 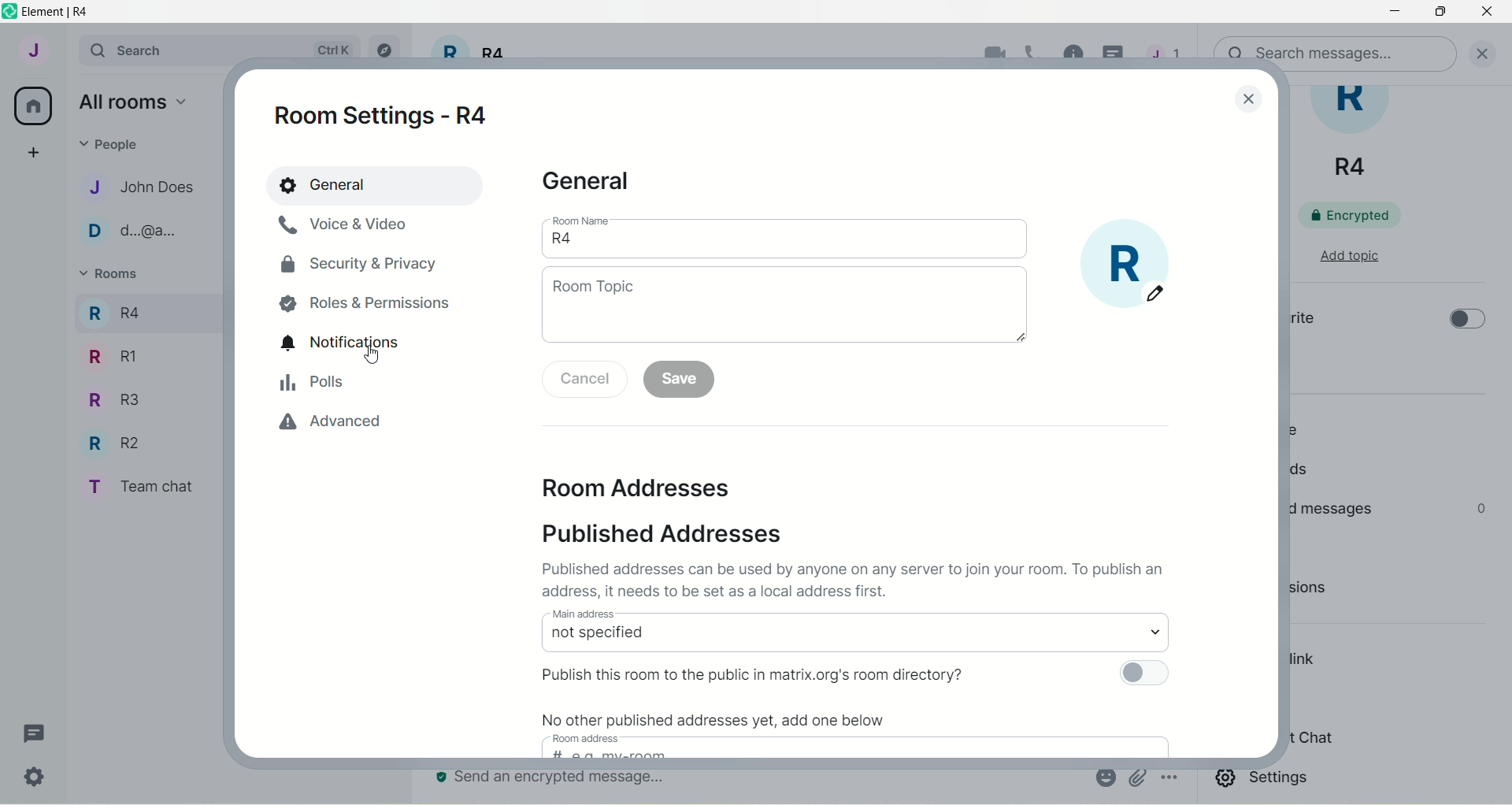 I want to click on account, so click(x=32, y=50).